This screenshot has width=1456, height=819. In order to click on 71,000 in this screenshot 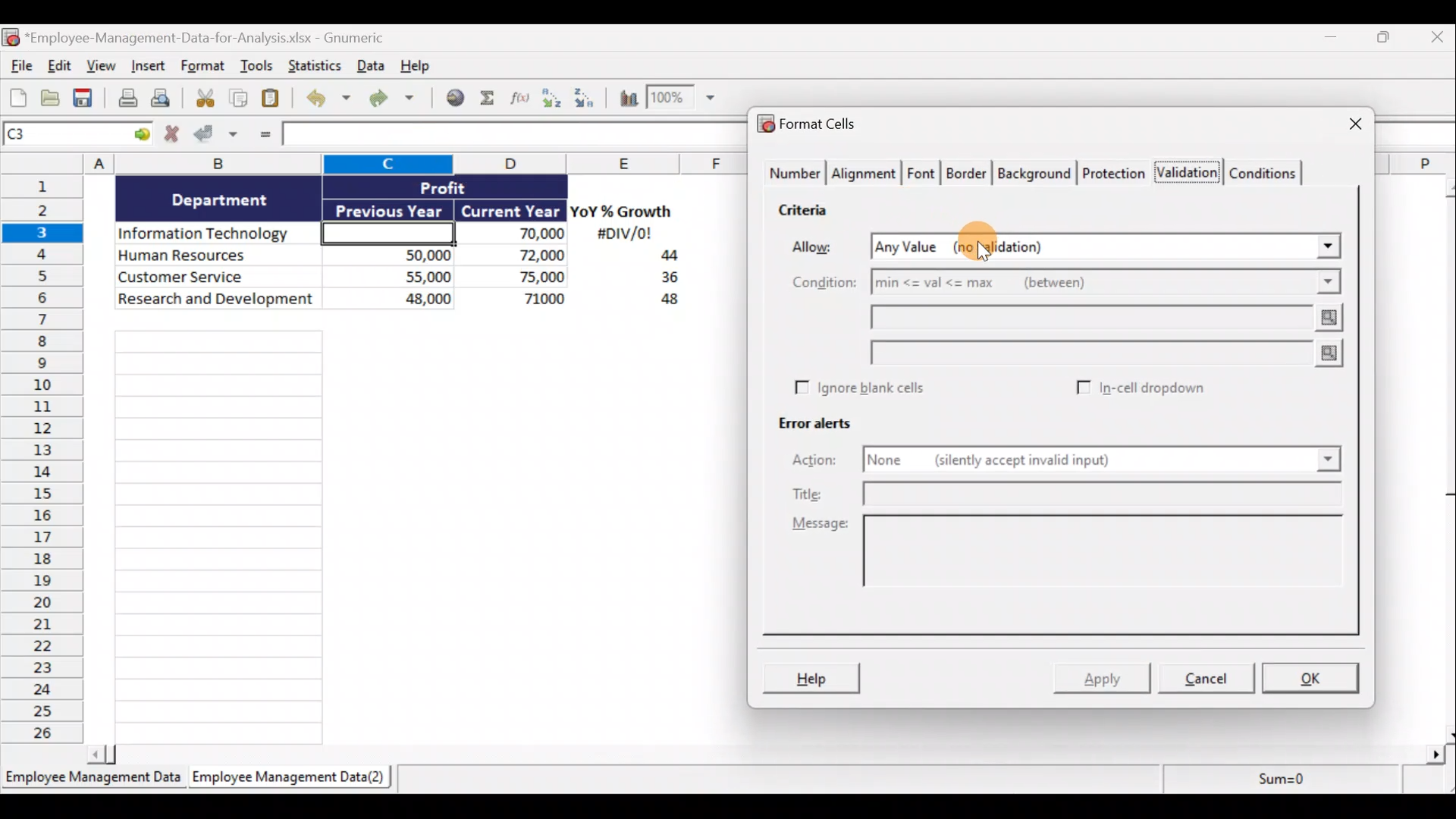, I will do `click(522, 300)`.